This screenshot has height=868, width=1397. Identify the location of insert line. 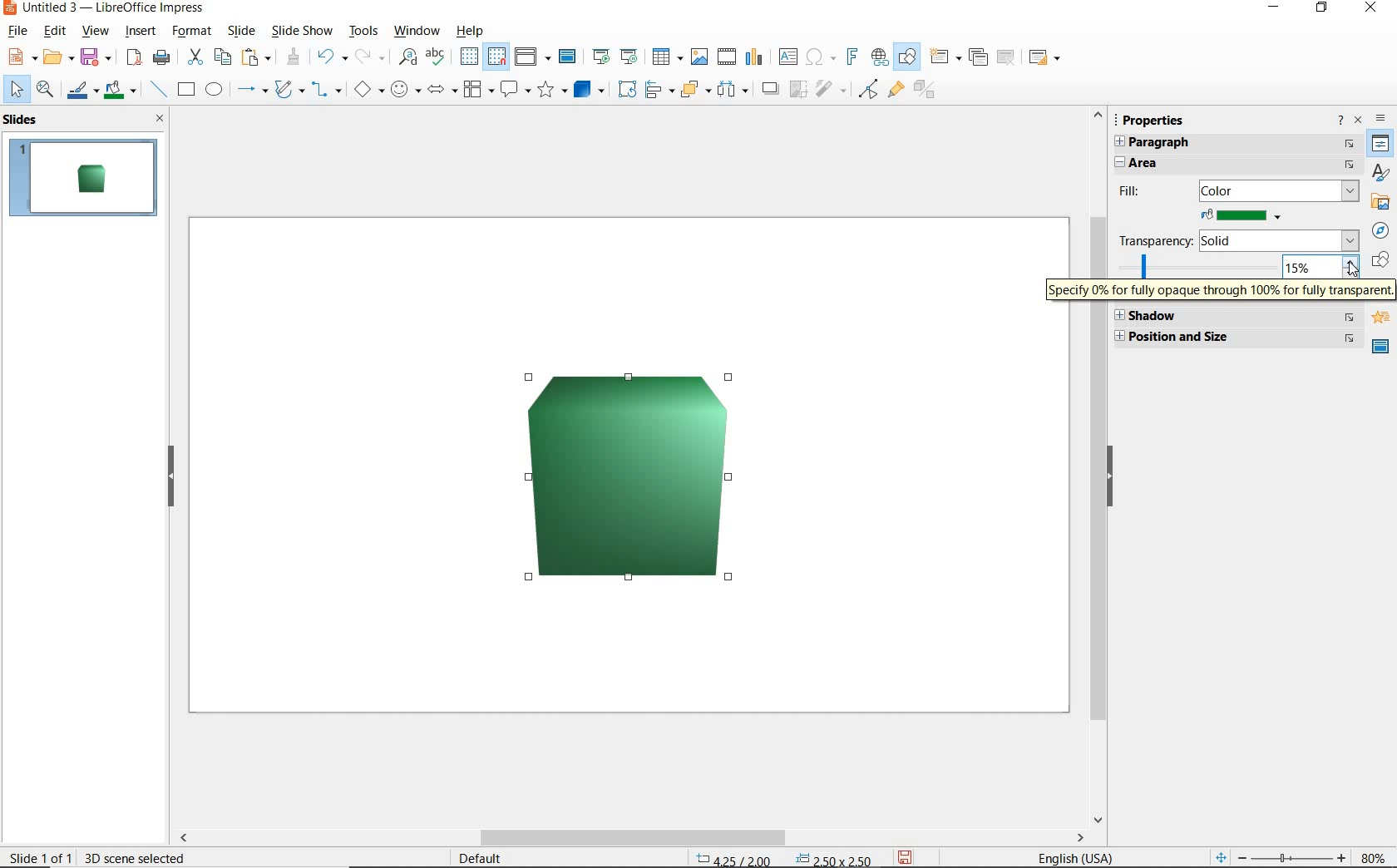
(157, 89).